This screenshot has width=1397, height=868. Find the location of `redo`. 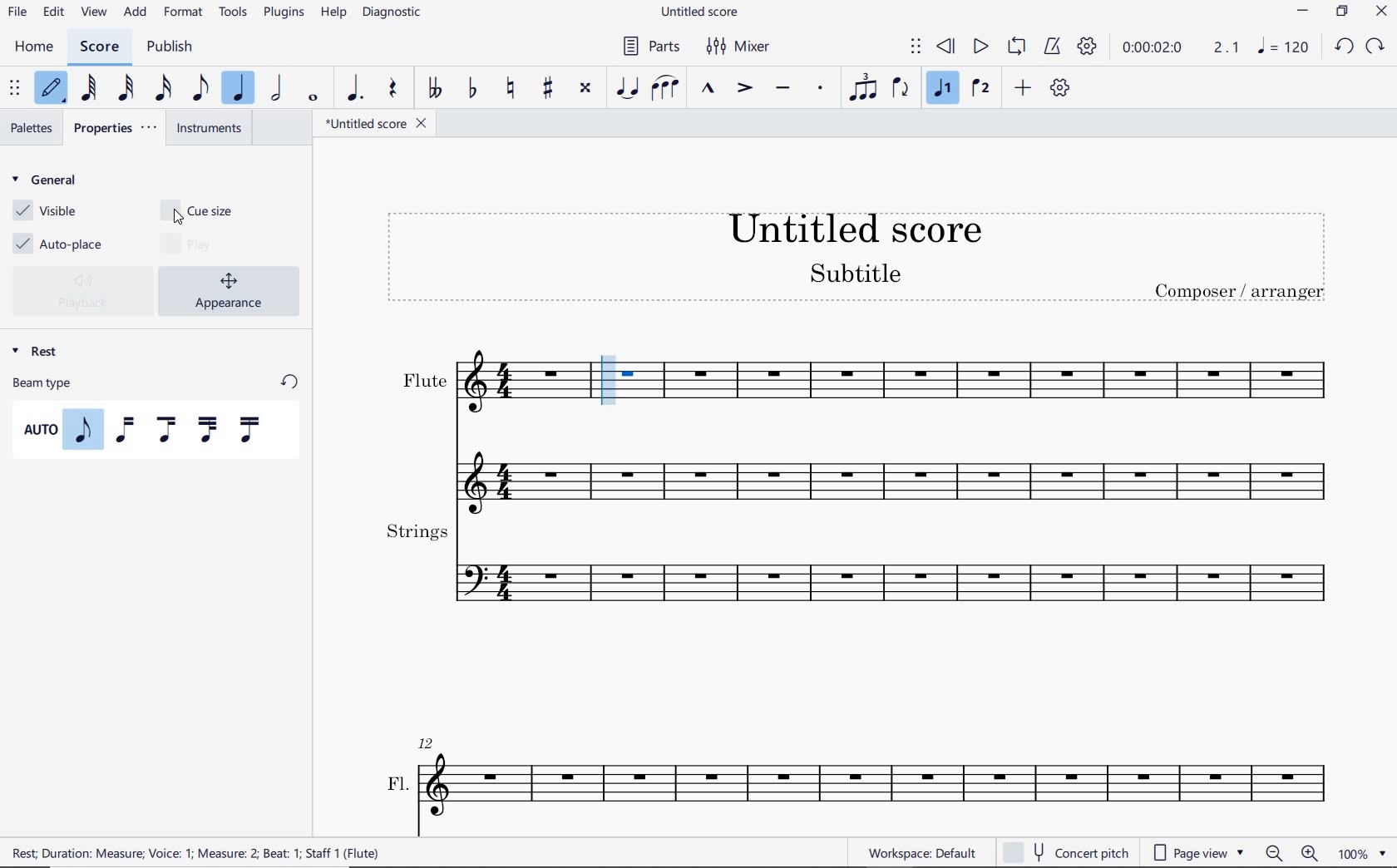

redo is located at coordinates (1378, 45).